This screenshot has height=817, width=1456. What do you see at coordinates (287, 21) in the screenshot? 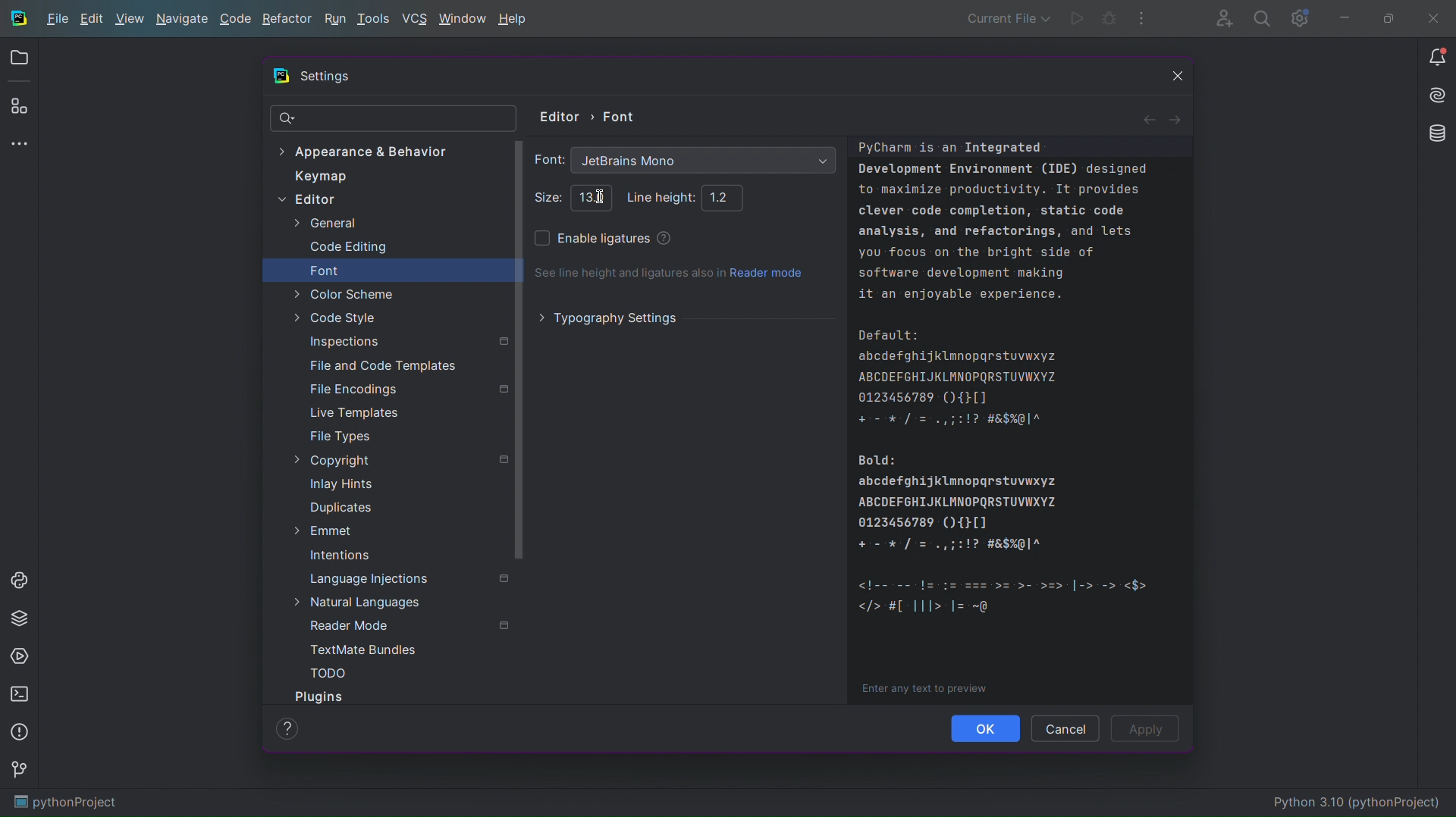
I see `Refactor` at bounding box center [287, 21].